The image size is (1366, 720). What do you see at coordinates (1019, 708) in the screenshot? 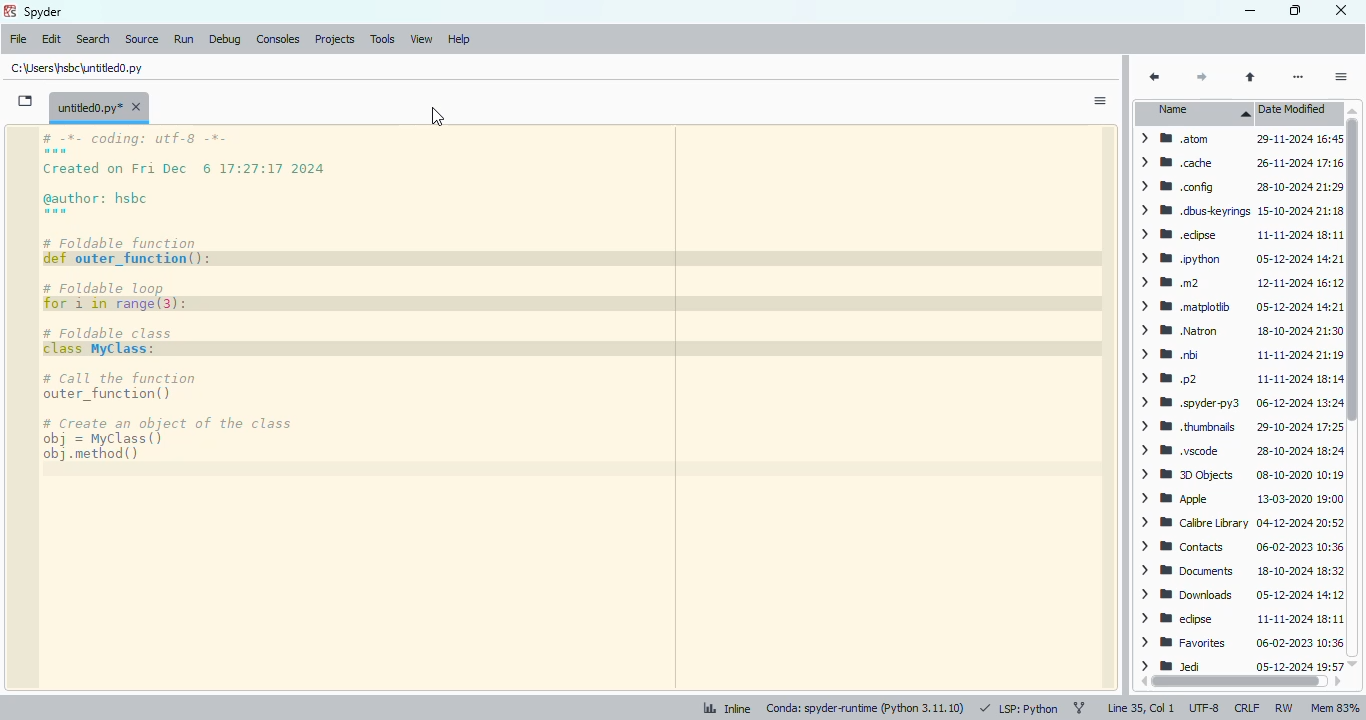
I see `LSP: python` at bounding box center [1019, 708].